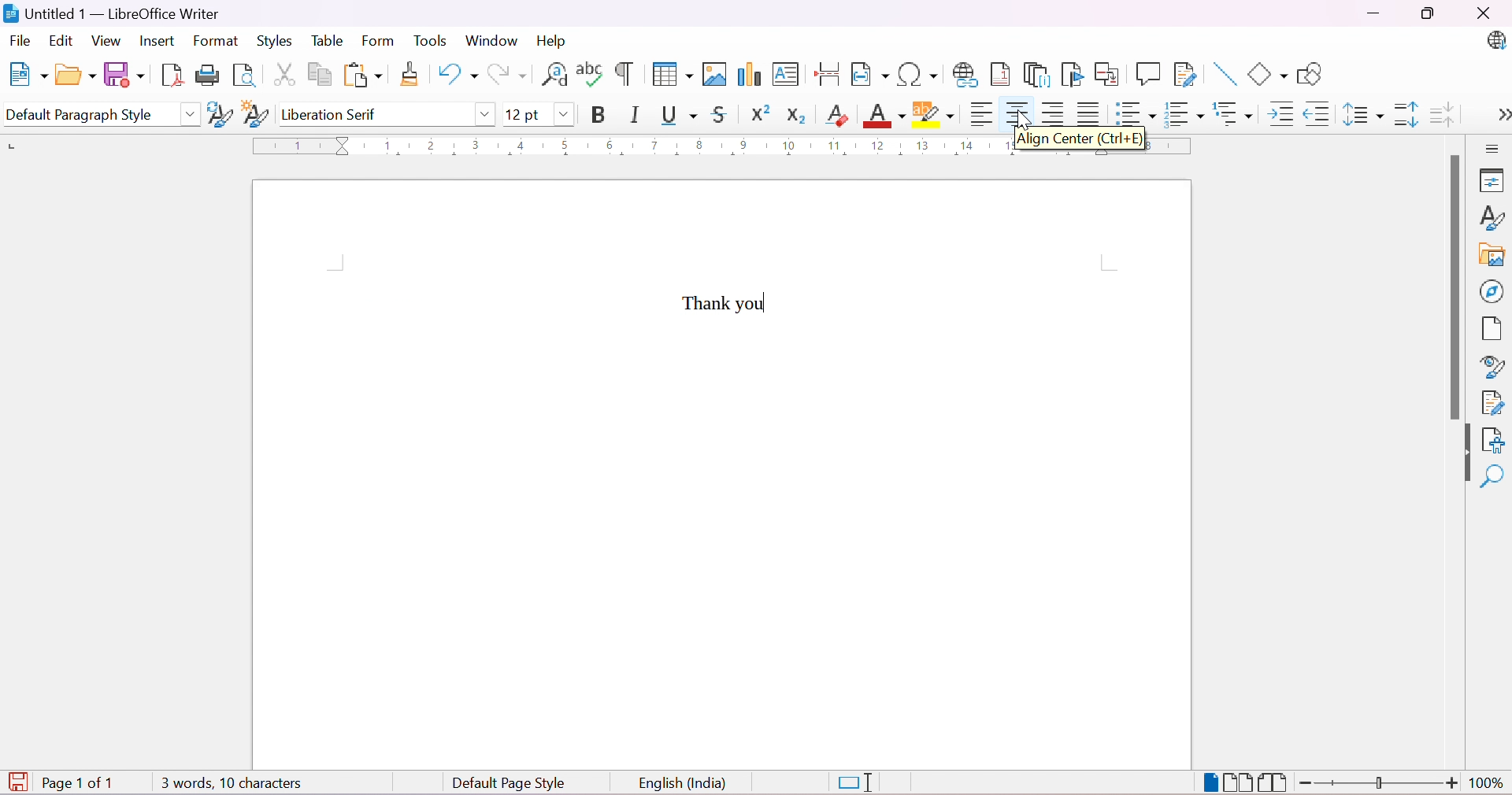 The height and width of the screenshot is (795, 1512). What do you see at coordinates (1490, 255) in the screenshot?
I see `Gallery` at bounding box center [1490, 255].